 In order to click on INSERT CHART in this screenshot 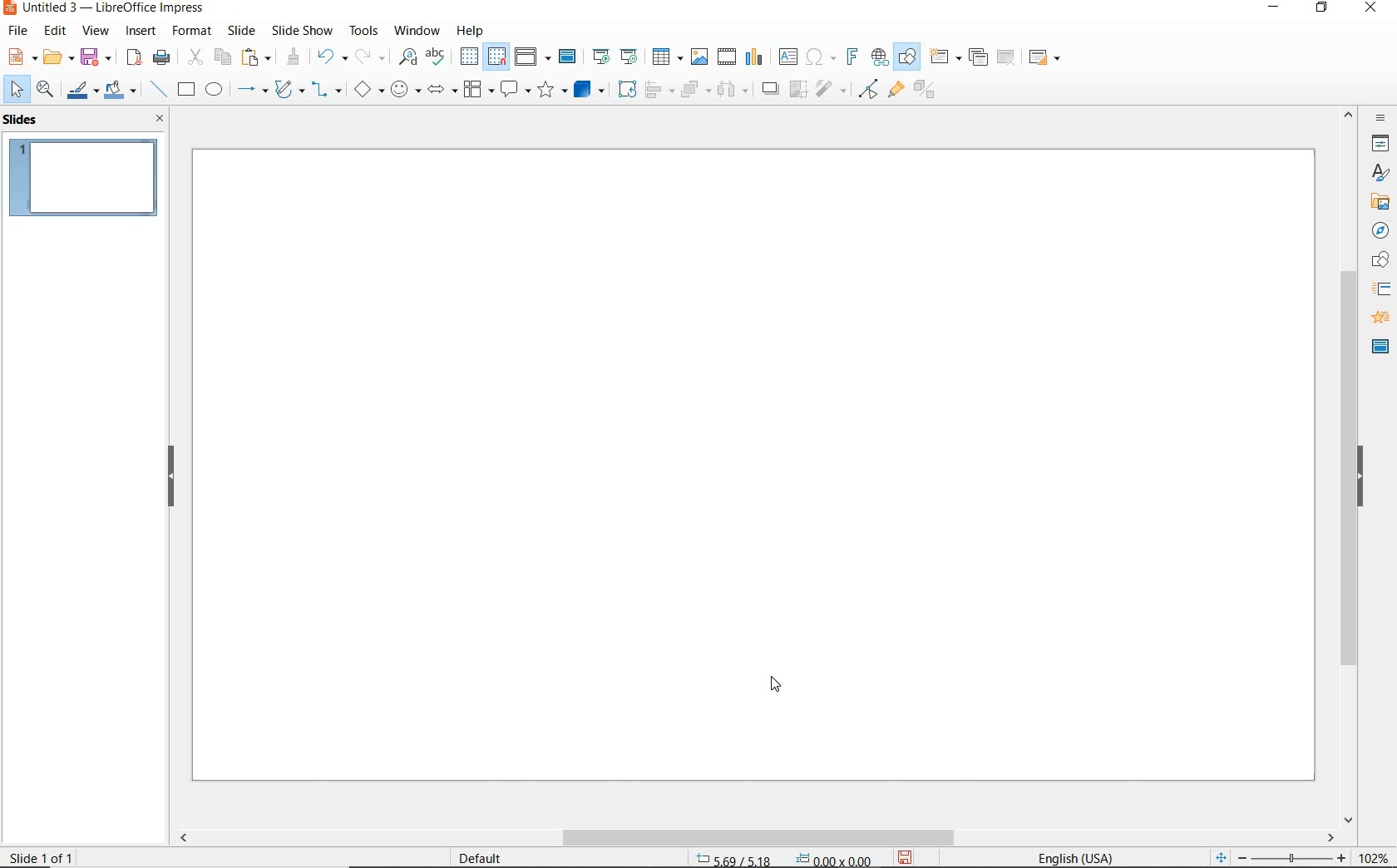, I will do `click(755, 56)`.